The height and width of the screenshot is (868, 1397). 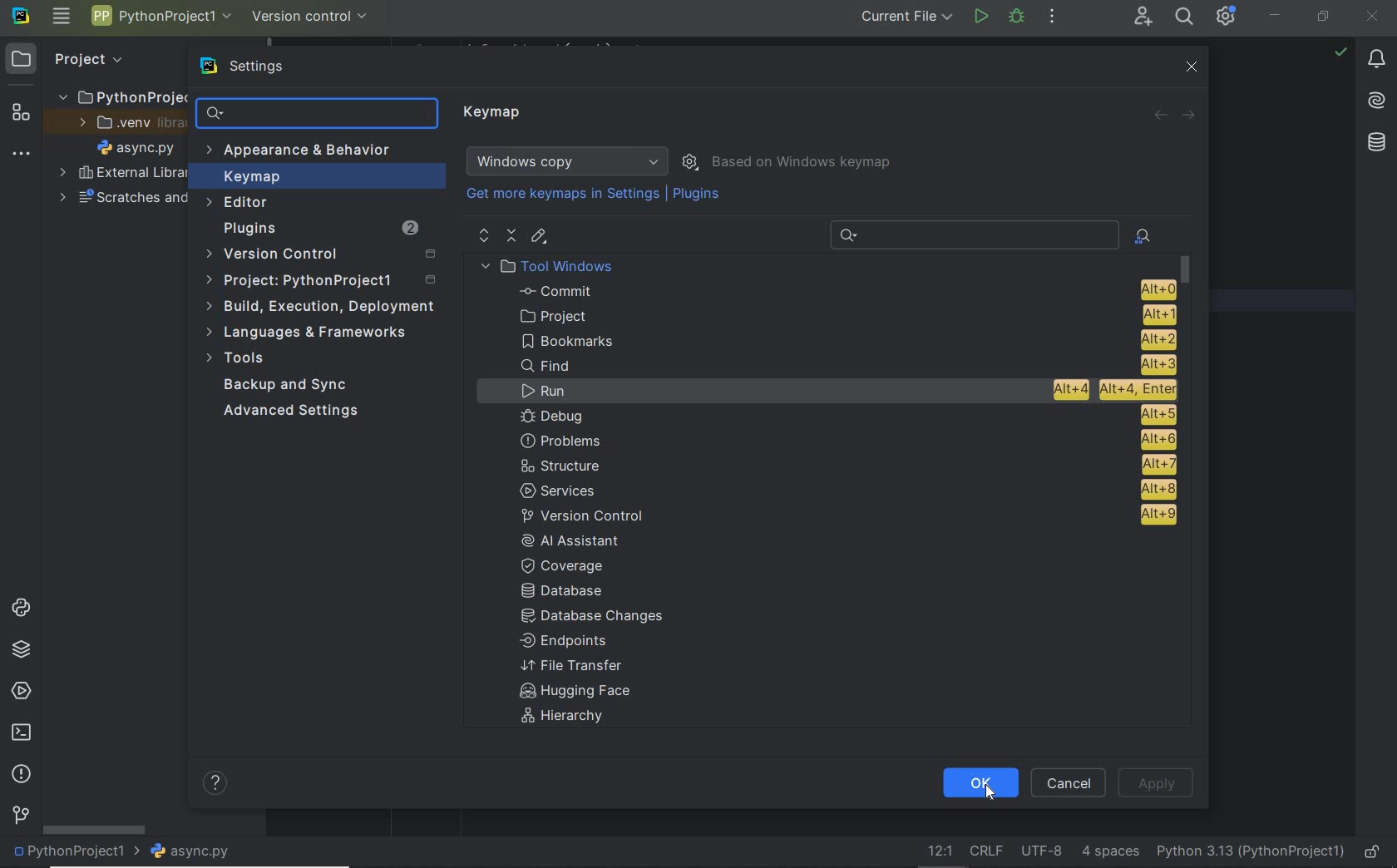 What do you see at coordinates (1324, 17) in the screenshot?
I see `restore down` at bounding box center [1324, 17].